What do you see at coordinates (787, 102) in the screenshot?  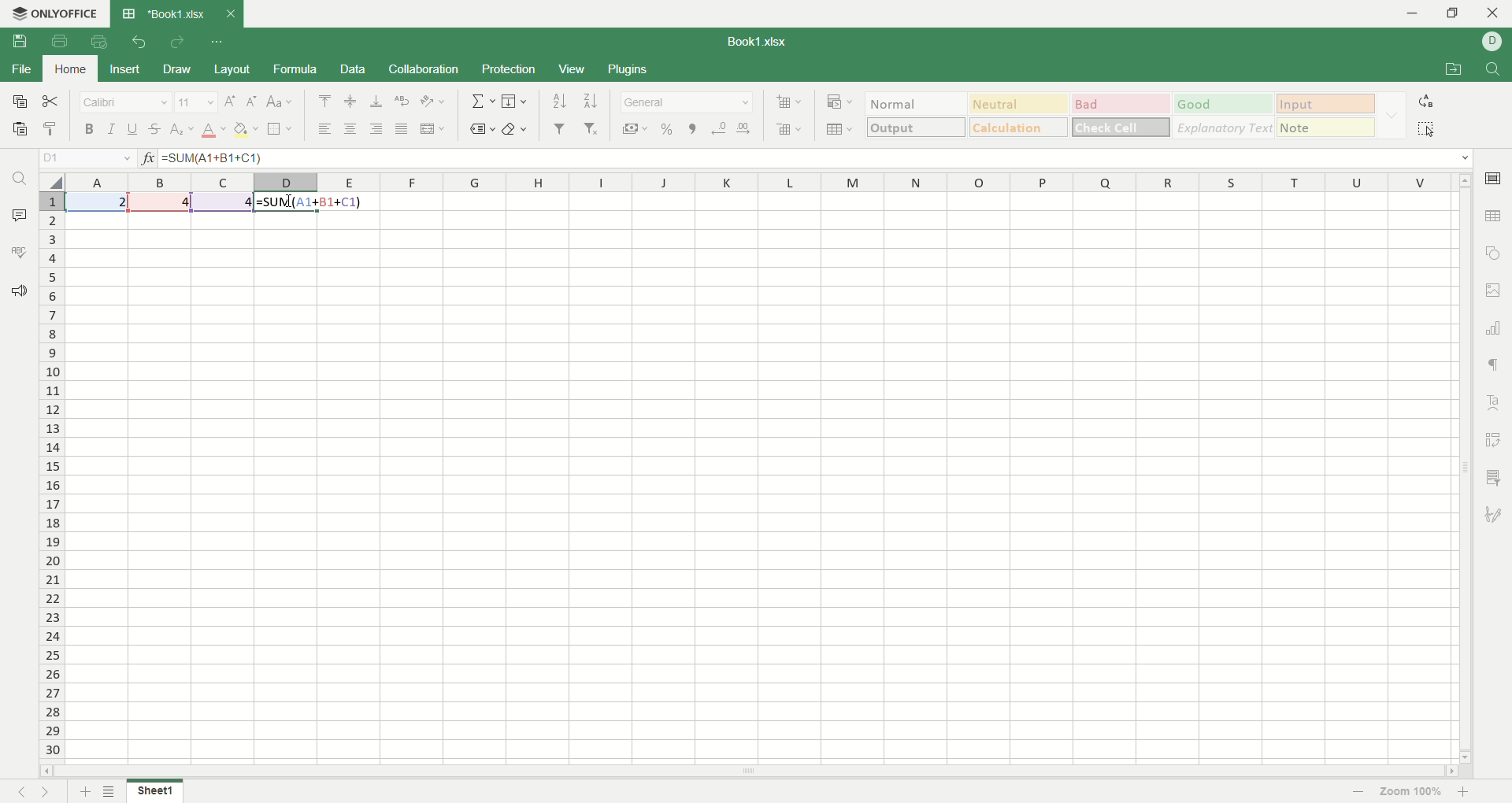 I see `add cell` at bounding box center [787, 102].